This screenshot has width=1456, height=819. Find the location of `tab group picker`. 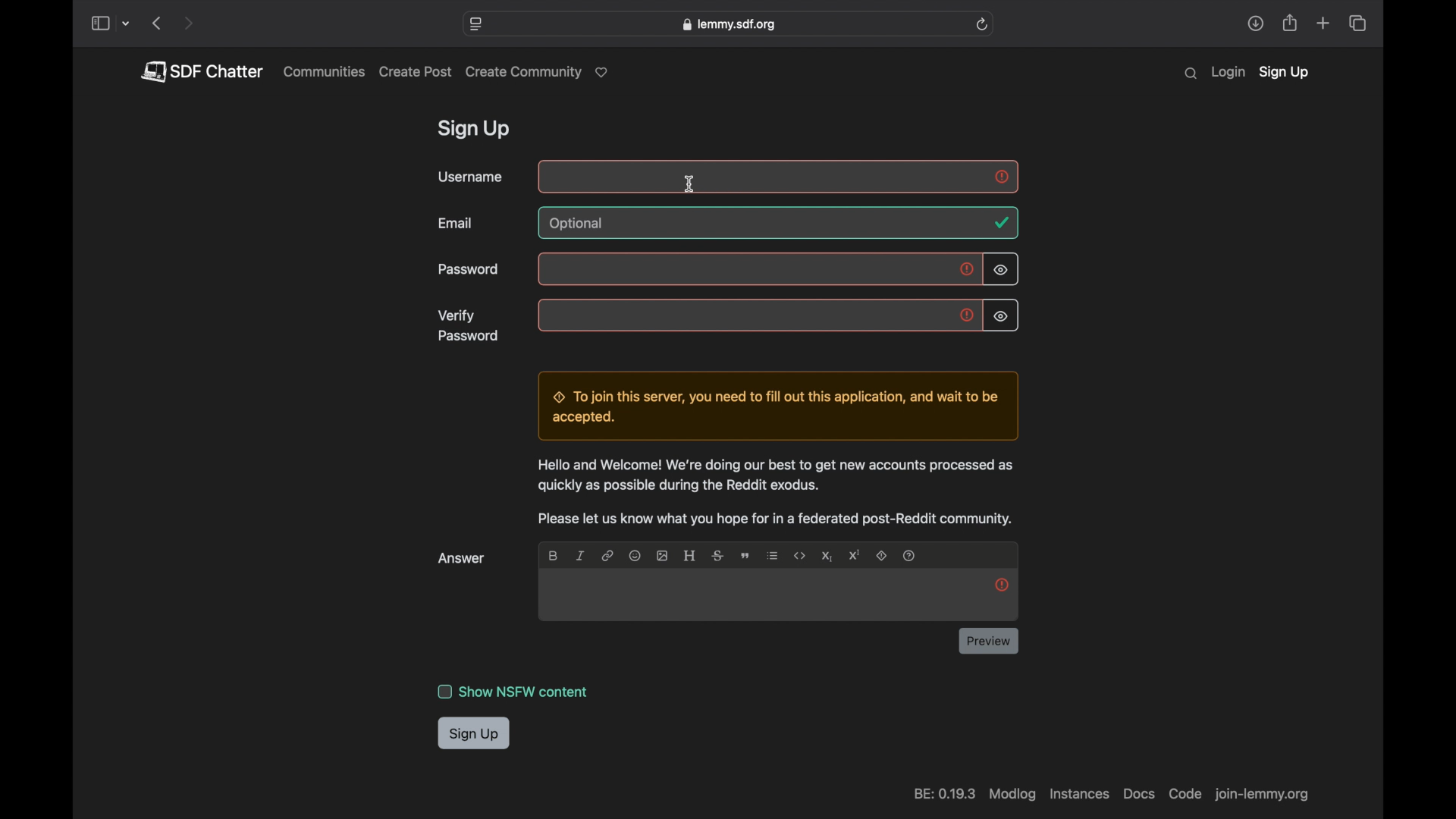

tab group picker is located at coordinates (127, 24).